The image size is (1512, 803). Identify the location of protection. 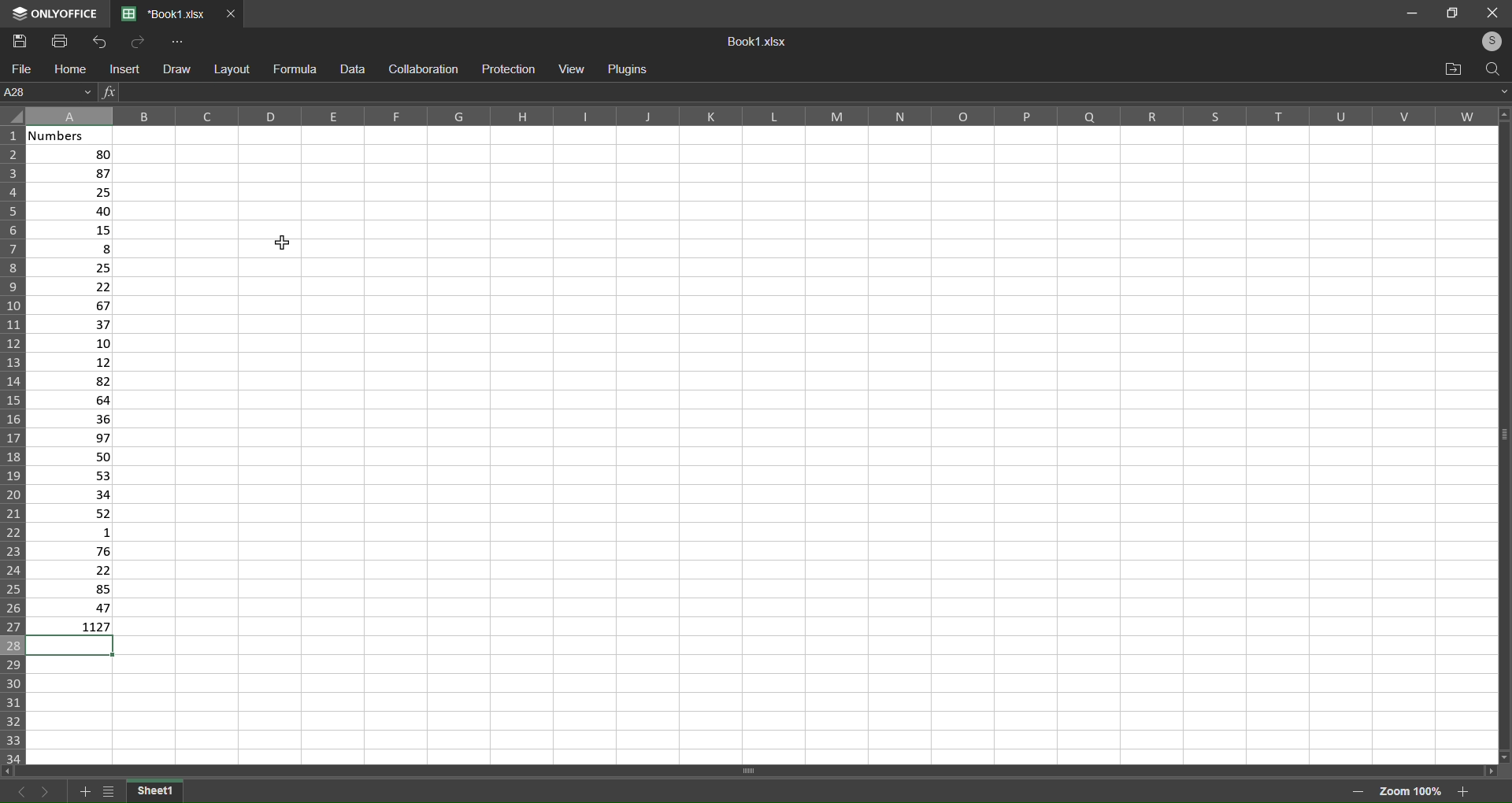
(510, 70).